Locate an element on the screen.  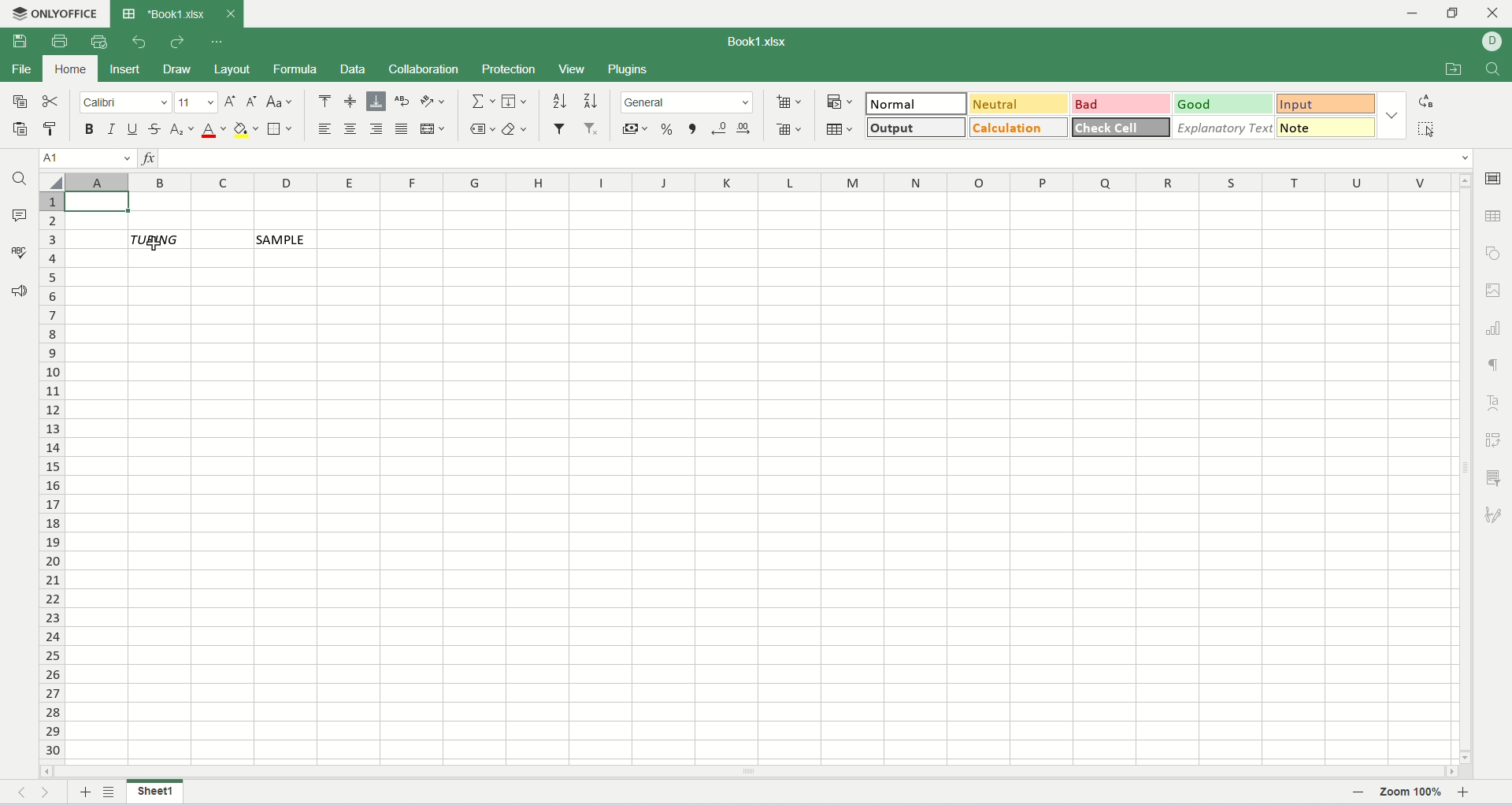
text art settings is located at coordinates (1495, 402).